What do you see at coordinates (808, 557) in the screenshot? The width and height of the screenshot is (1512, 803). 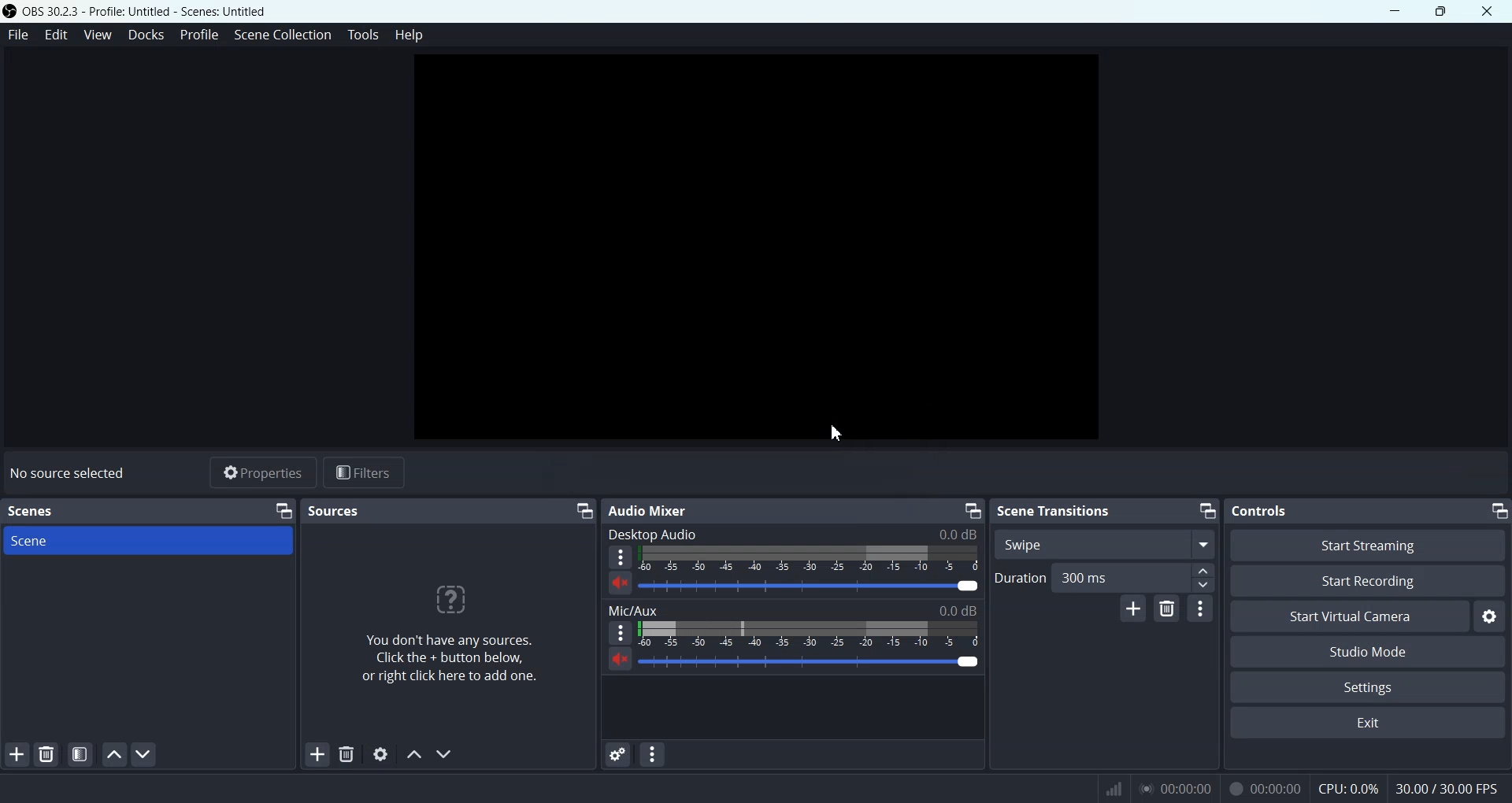 I see `Volume Indicator` at bounding box center [808, 557].